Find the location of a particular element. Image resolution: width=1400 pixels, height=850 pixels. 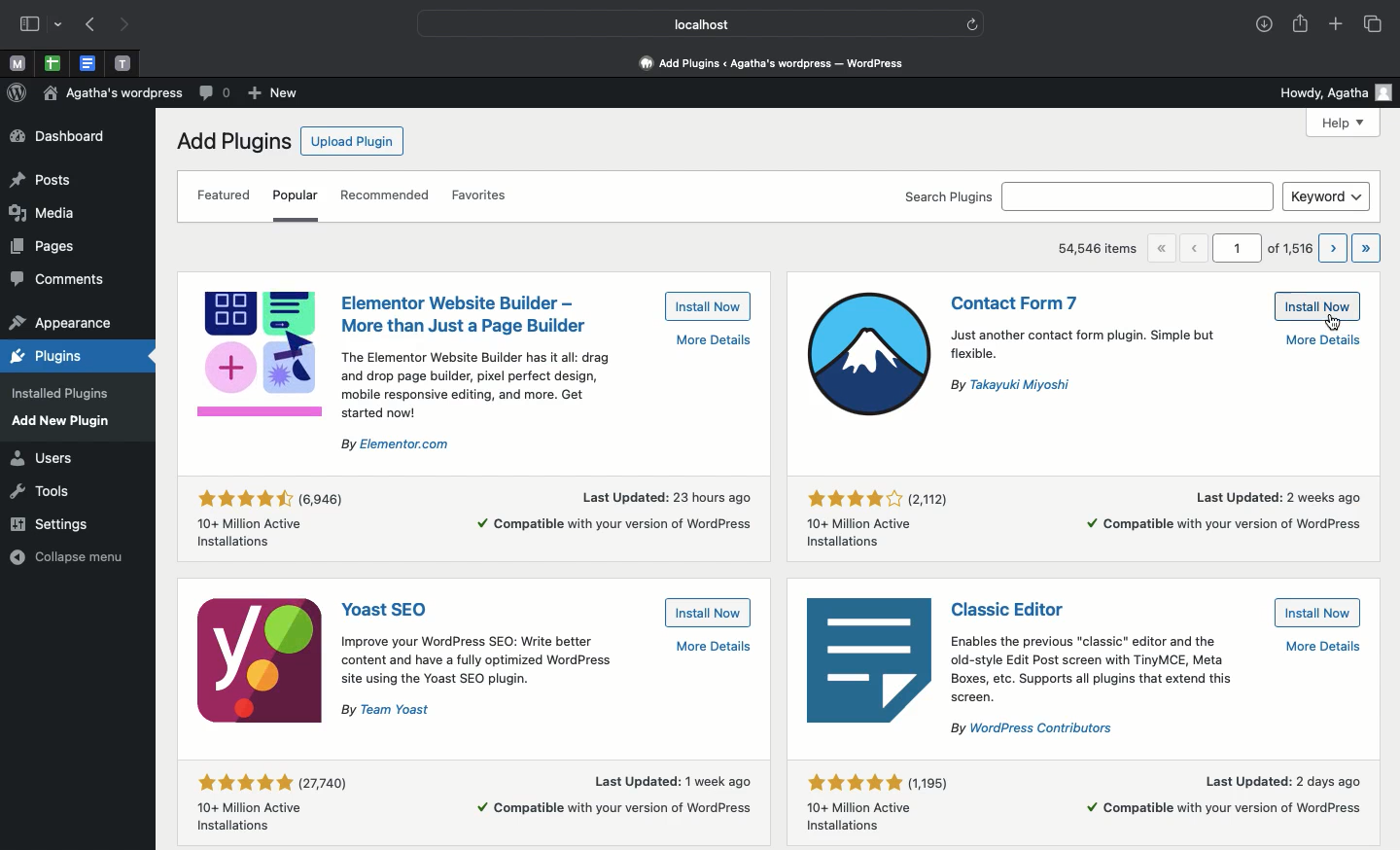

New is located at coordinates (272, 92).